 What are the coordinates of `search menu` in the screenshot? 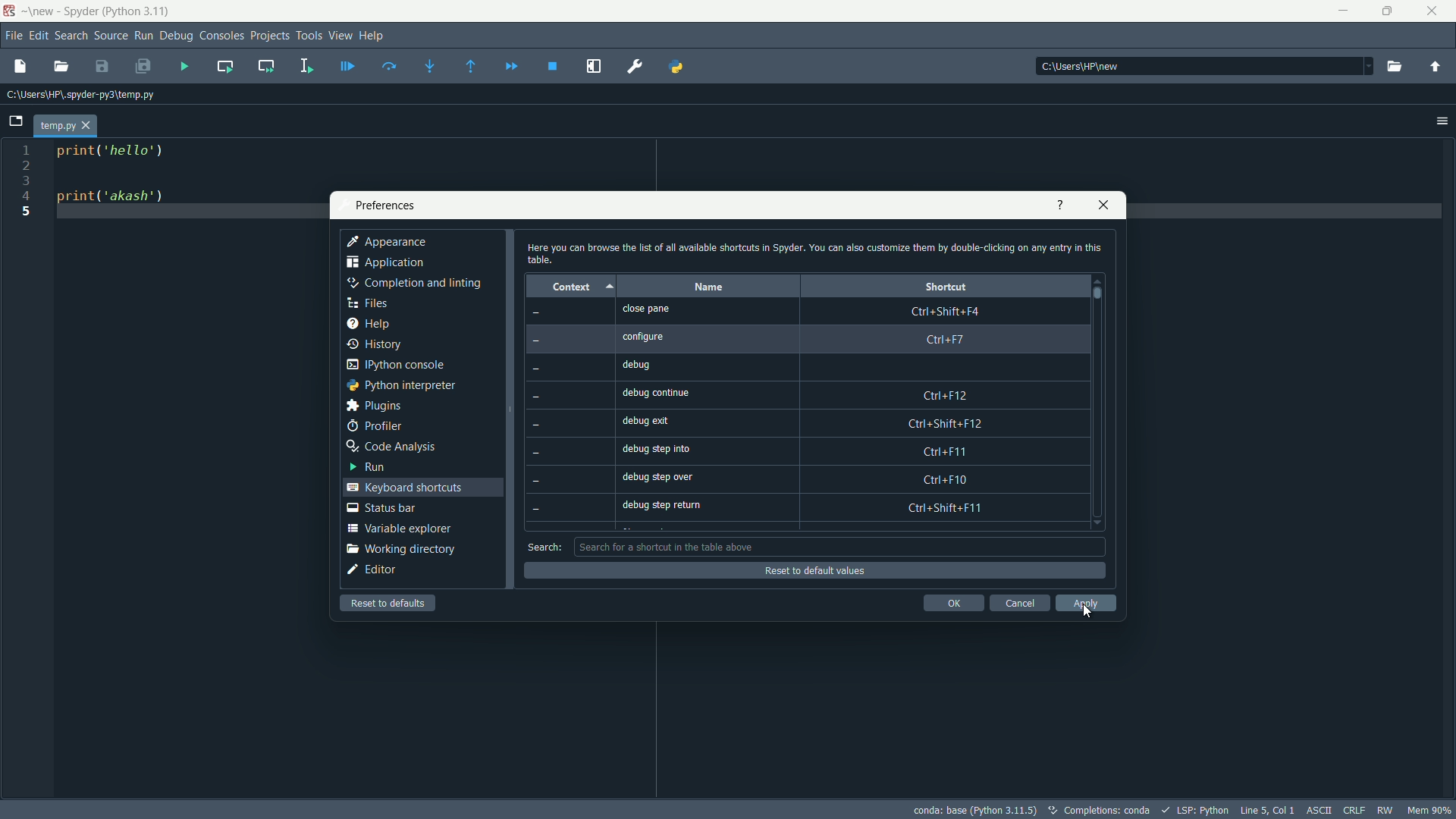 It's located at (71, 36).